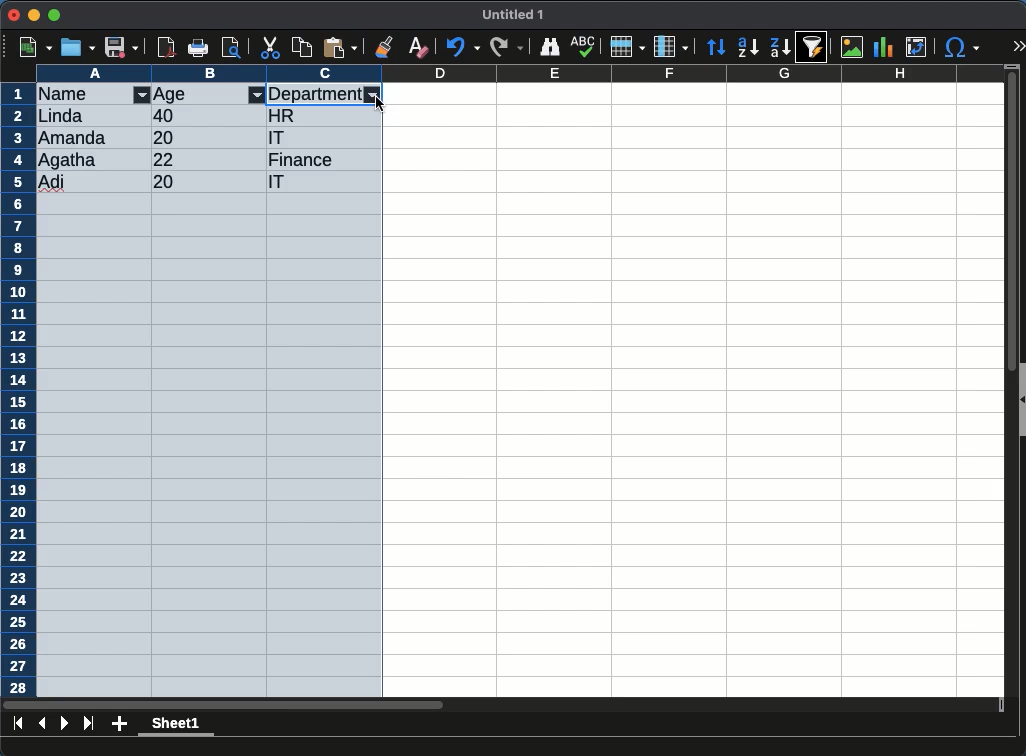  Describe the element at coordinates (314, 93) in the screenshot. I see `department ` at that location.